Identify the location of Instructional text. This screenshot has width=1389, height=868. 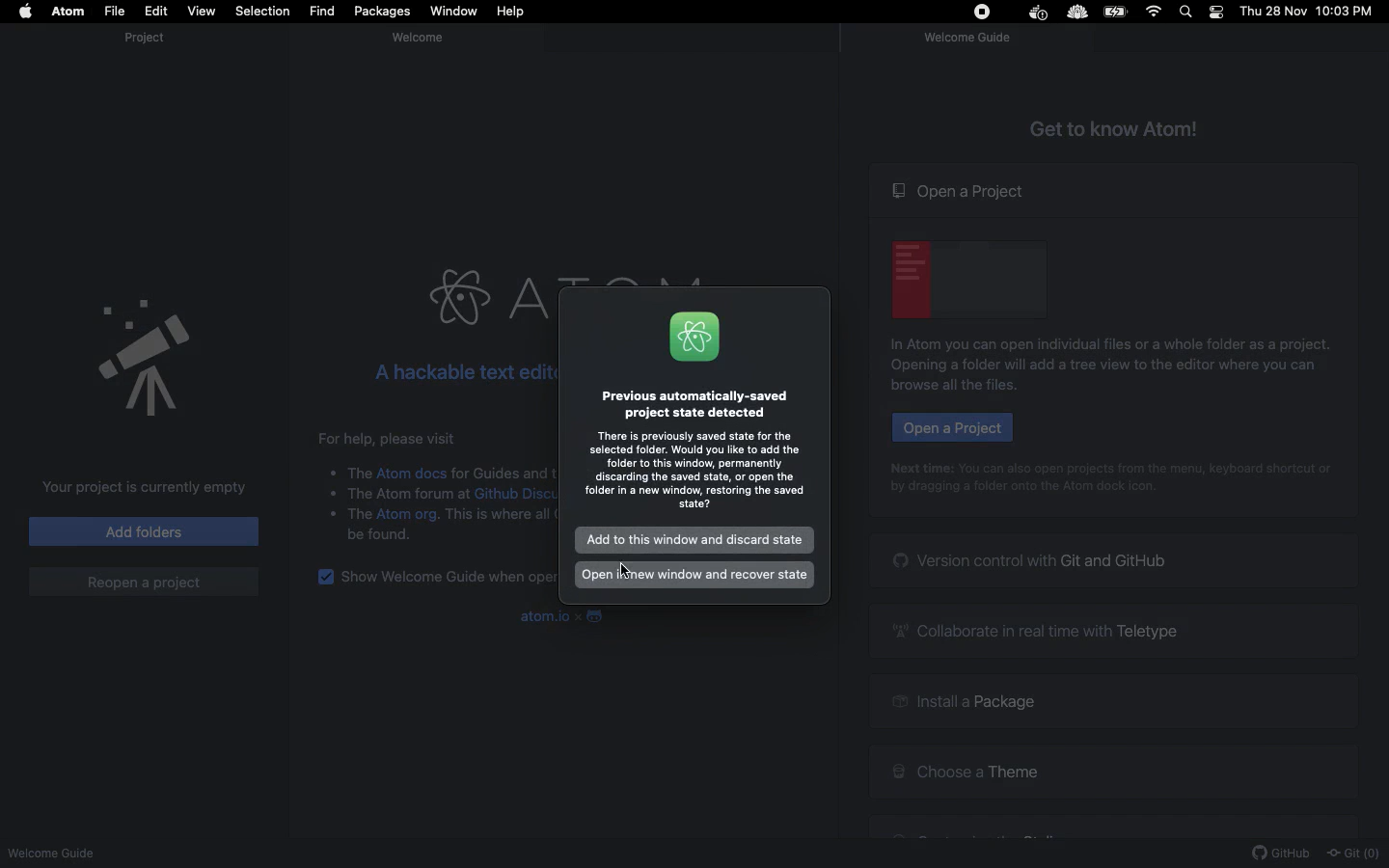
(1096, 375).